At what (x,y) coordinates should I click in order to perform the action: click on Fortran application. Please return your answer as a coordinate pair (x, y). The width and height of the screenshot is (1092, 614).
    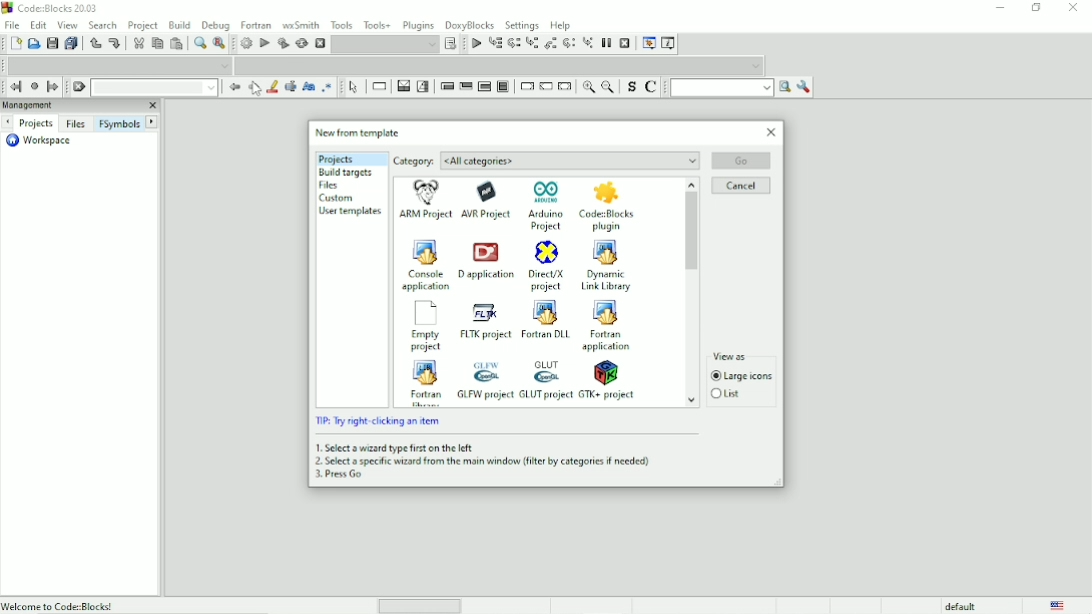
    Looking at the image, I should click on (610, 326).